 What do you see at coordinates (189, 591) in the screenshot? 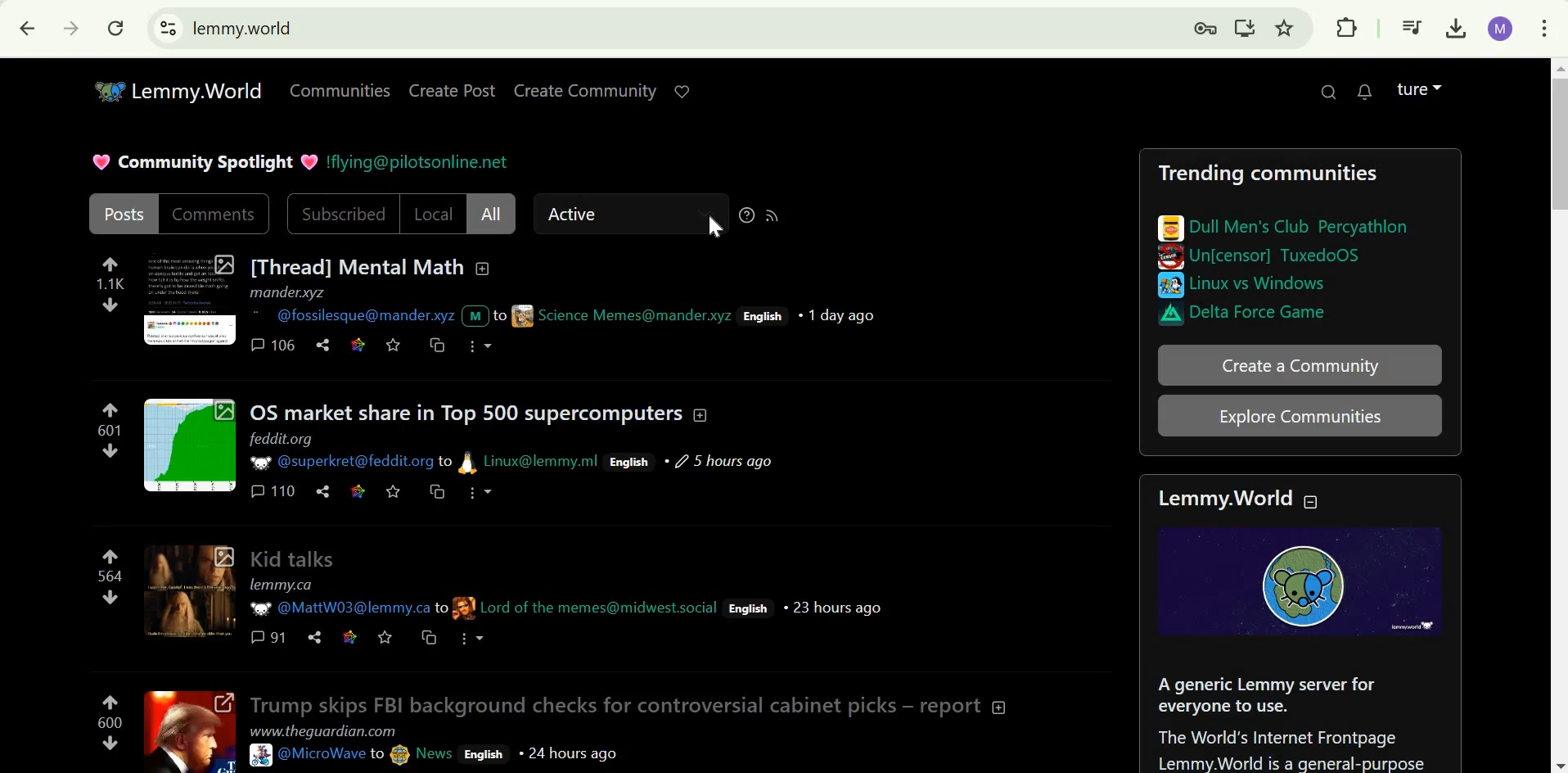
I see `expand` at bounding box center [189, 591].